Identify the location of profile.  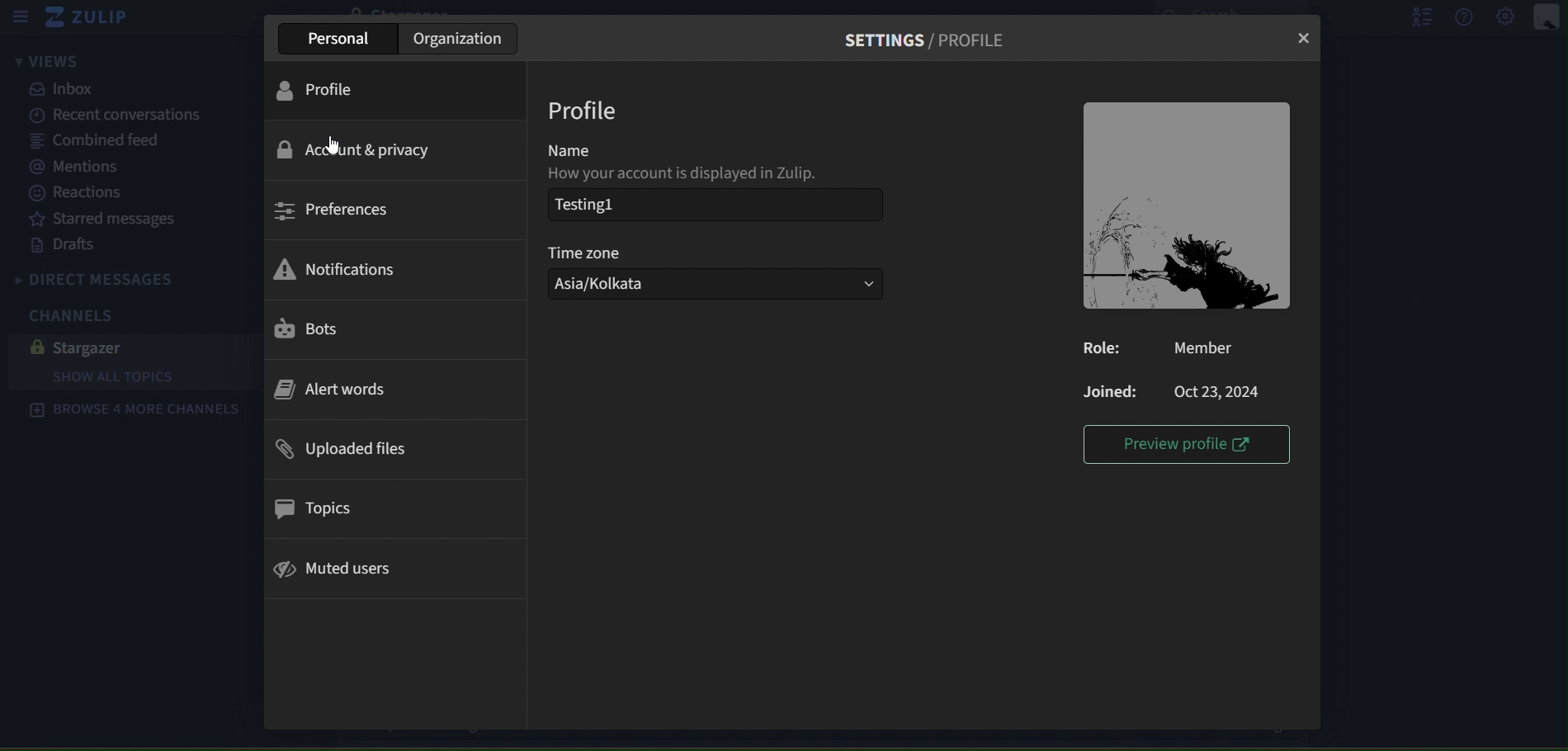
(326, 89).